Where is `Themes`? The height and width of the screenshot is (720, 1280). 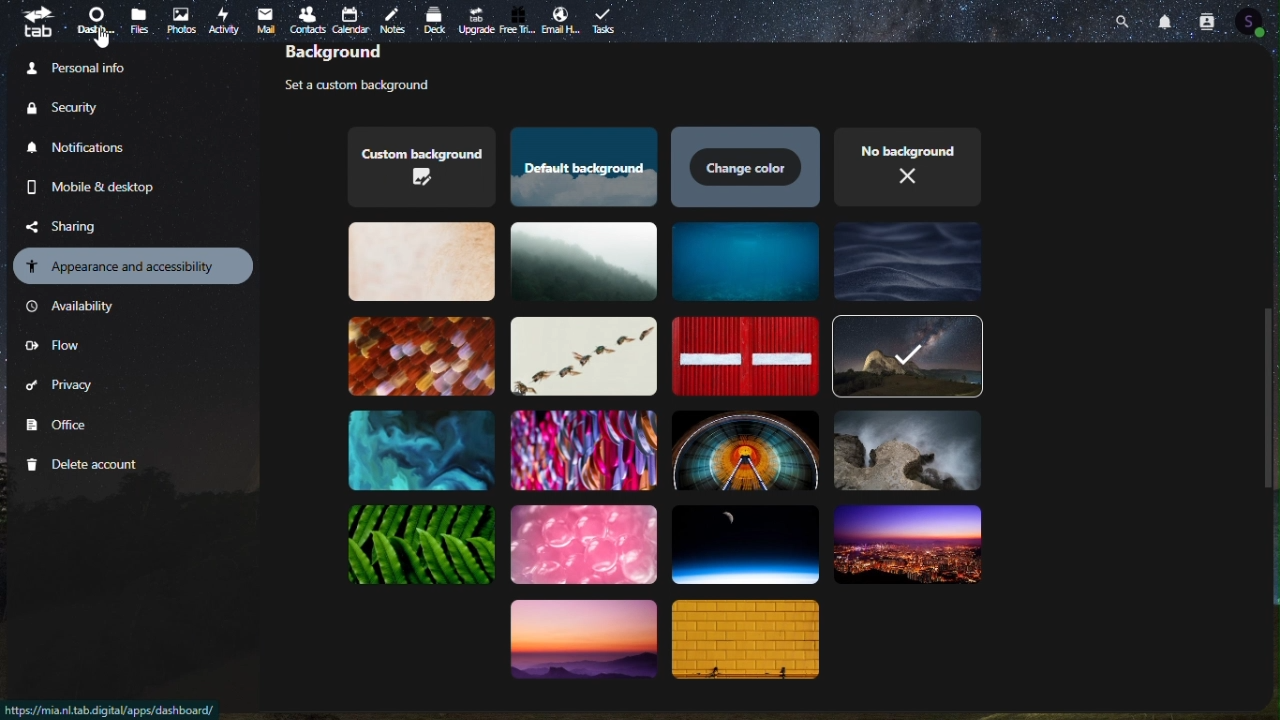
Themes is located at coordinates (580, 648).